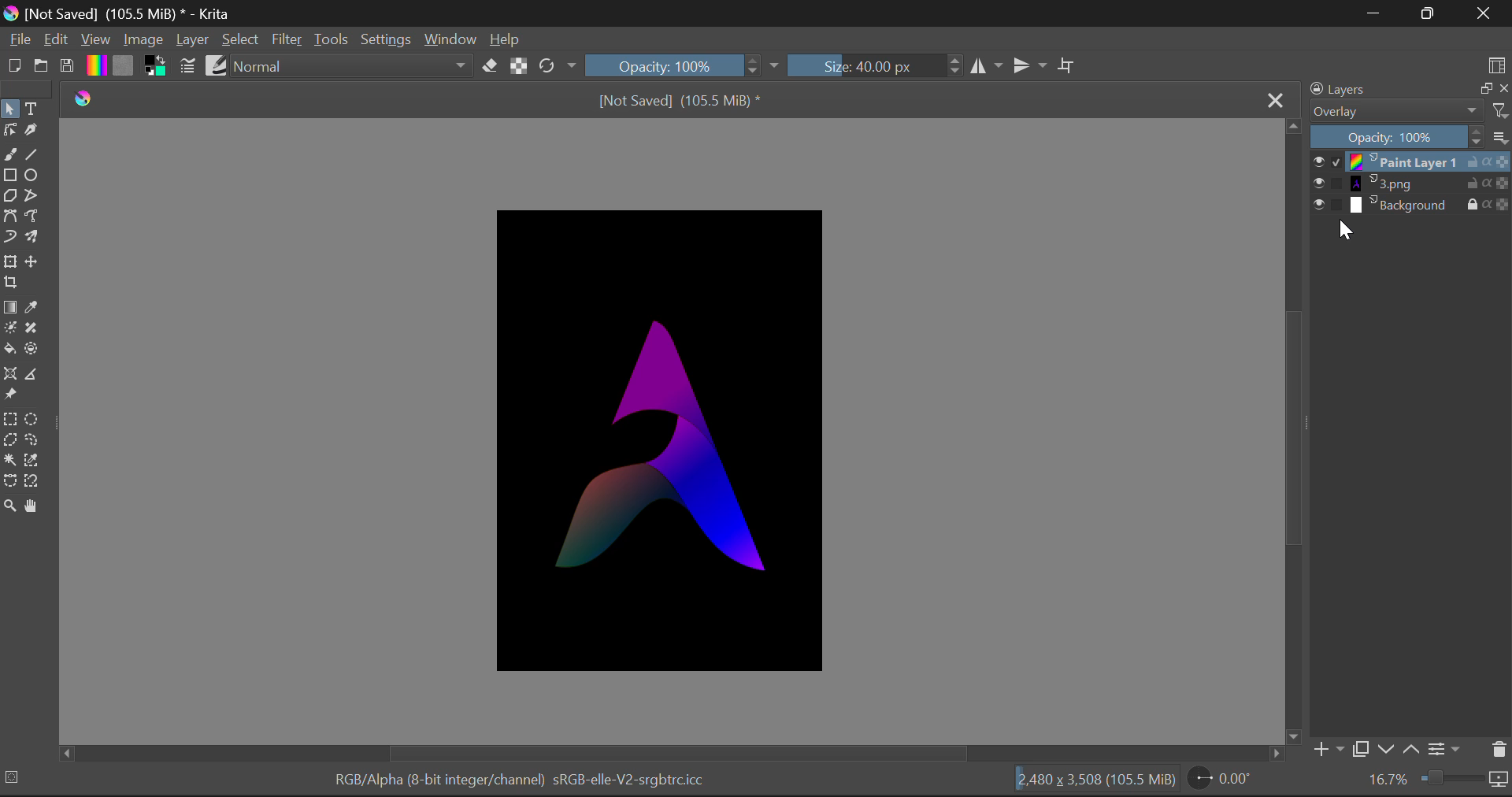 This screenshot has width=1512, height=797. I want to click on Pattern, so click(126, 69).